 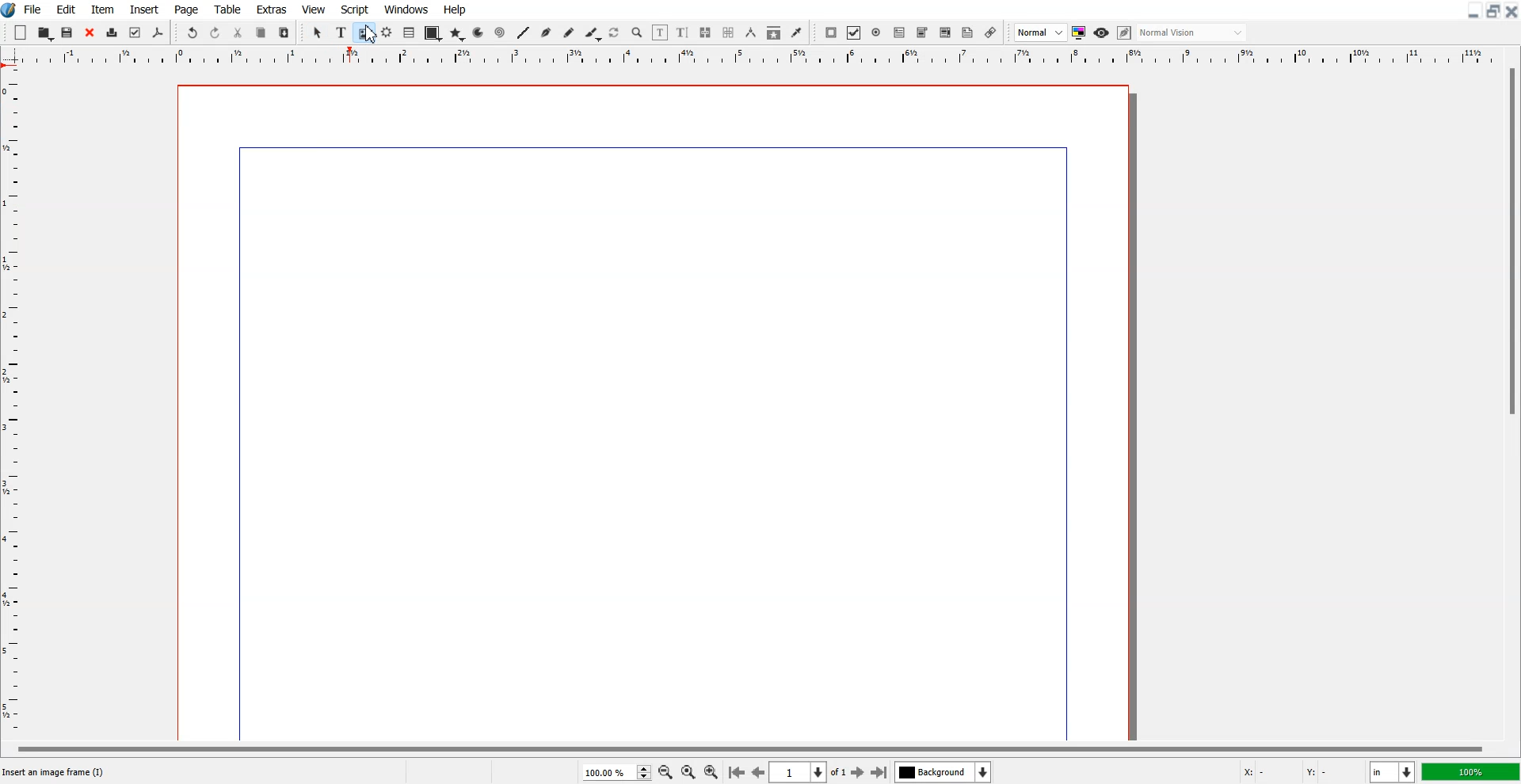 I want to click on Zoom in or Out, so click(x=638, y=33).